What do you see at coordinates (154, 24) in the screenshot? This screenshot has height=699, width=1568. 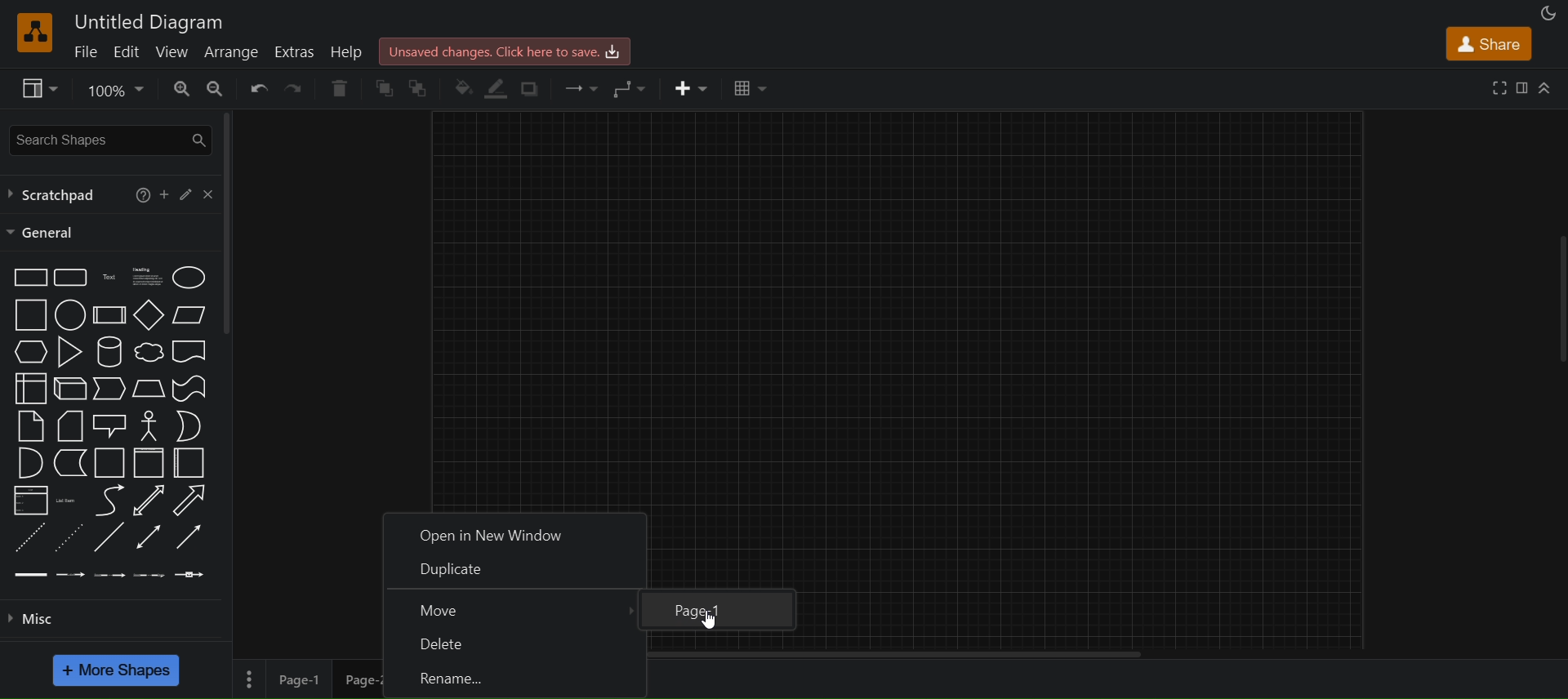 I see `utitled diagram` at bounding box center [154, 24].